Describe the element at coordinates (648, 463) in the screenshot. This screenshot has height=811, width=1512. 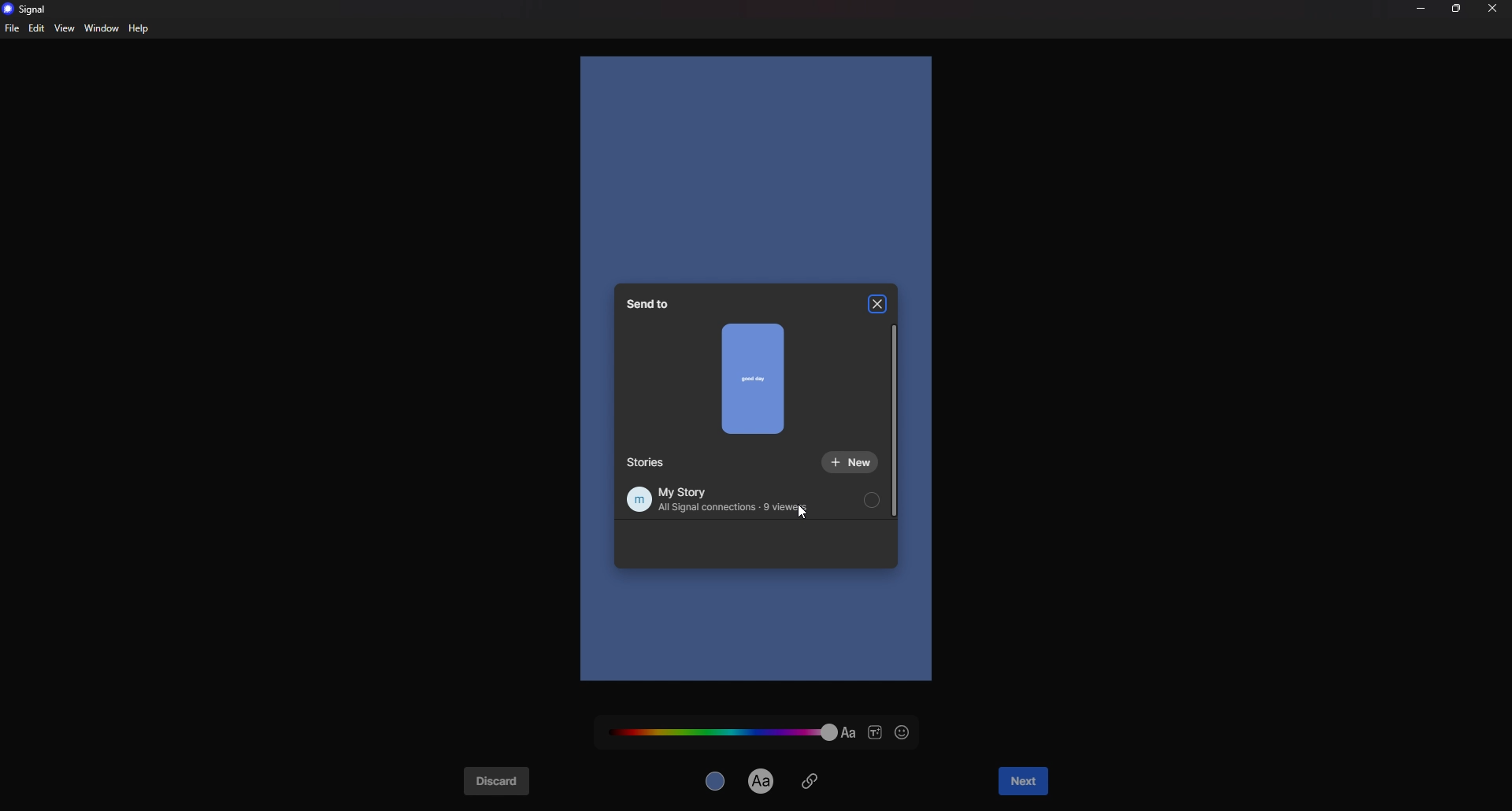
I see `stories` at that location.